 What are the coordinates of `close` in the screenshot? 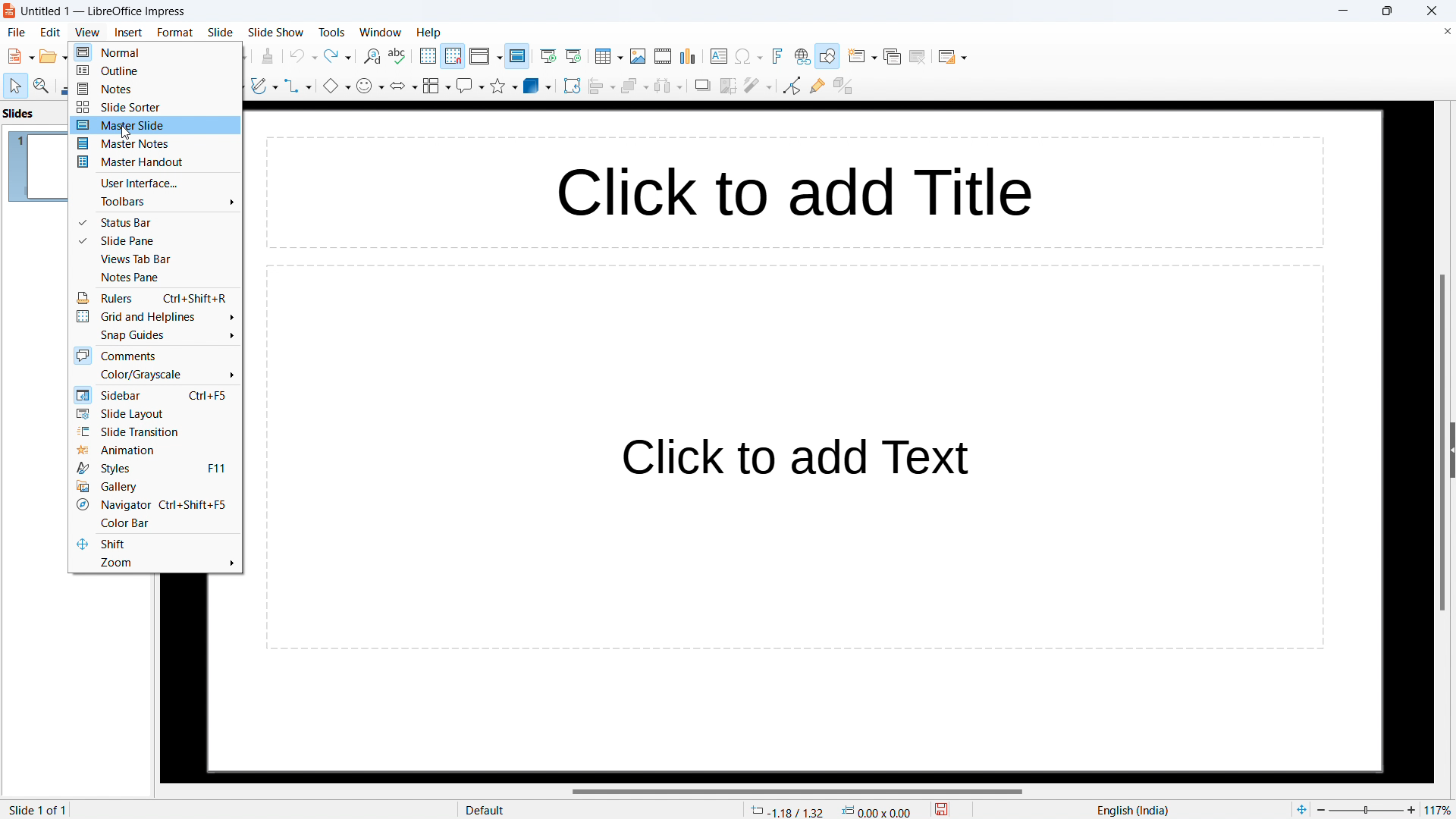 It's located at (1431, 11).